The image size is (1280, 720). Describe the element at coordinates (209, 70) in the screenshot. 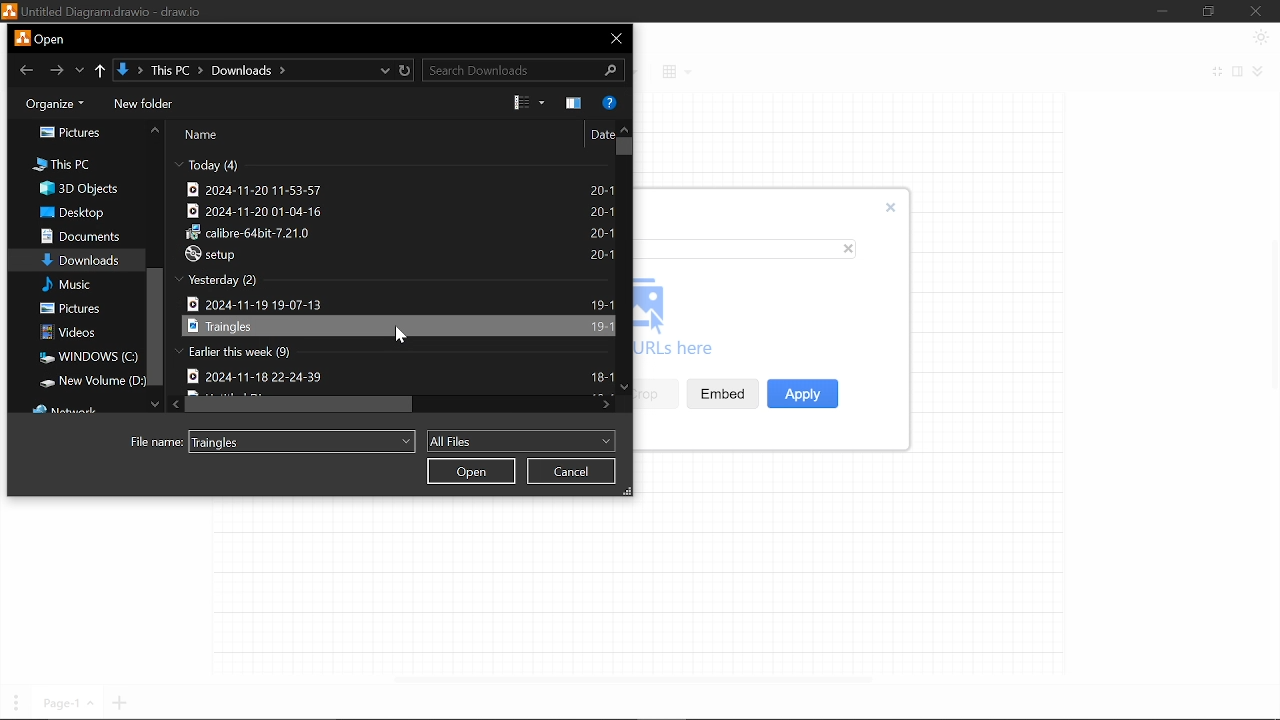

I see `↓ > This PC > Downloads >` at that location.